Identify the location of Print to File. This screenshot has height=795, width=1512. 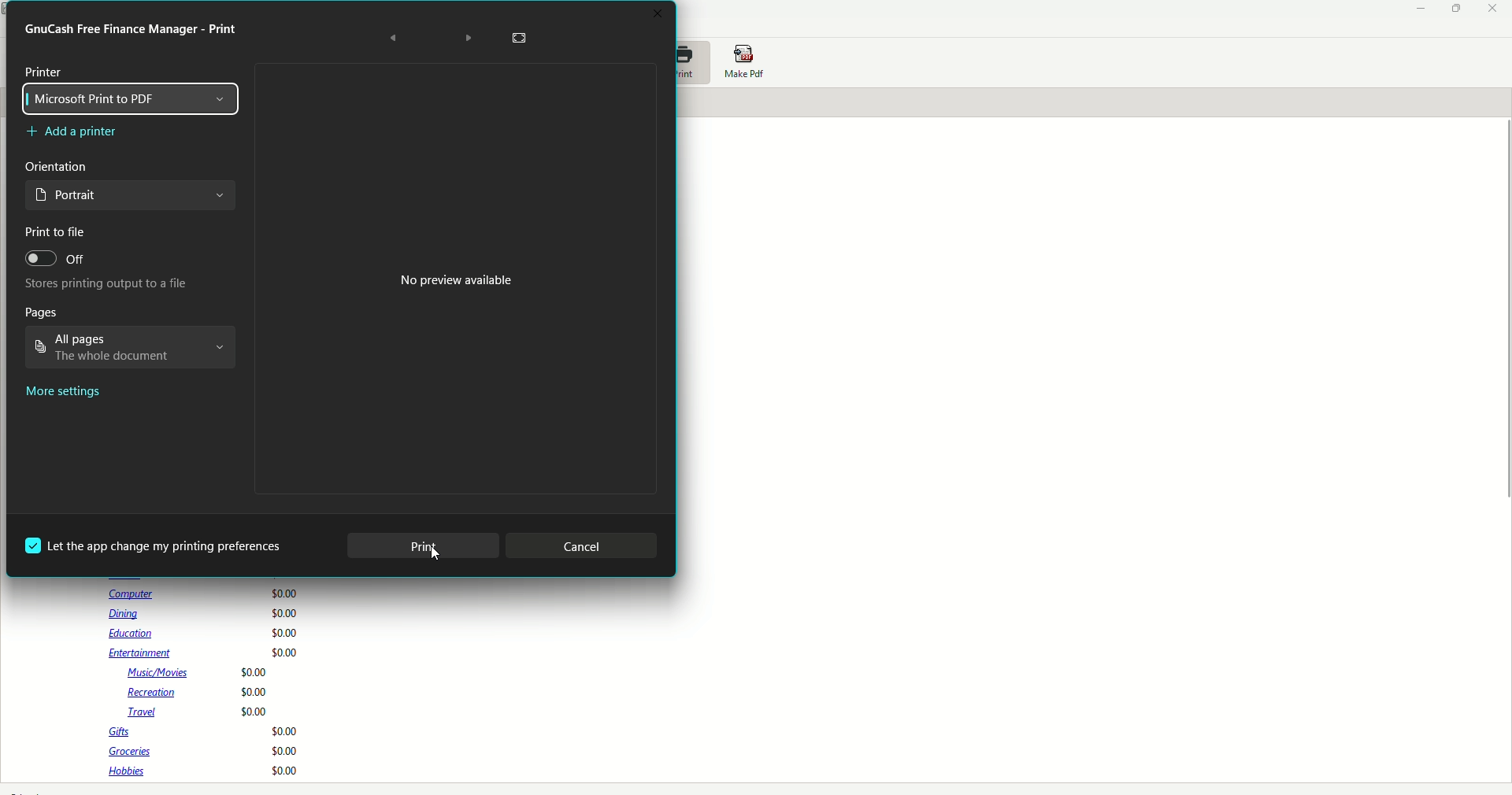
(57, 233).